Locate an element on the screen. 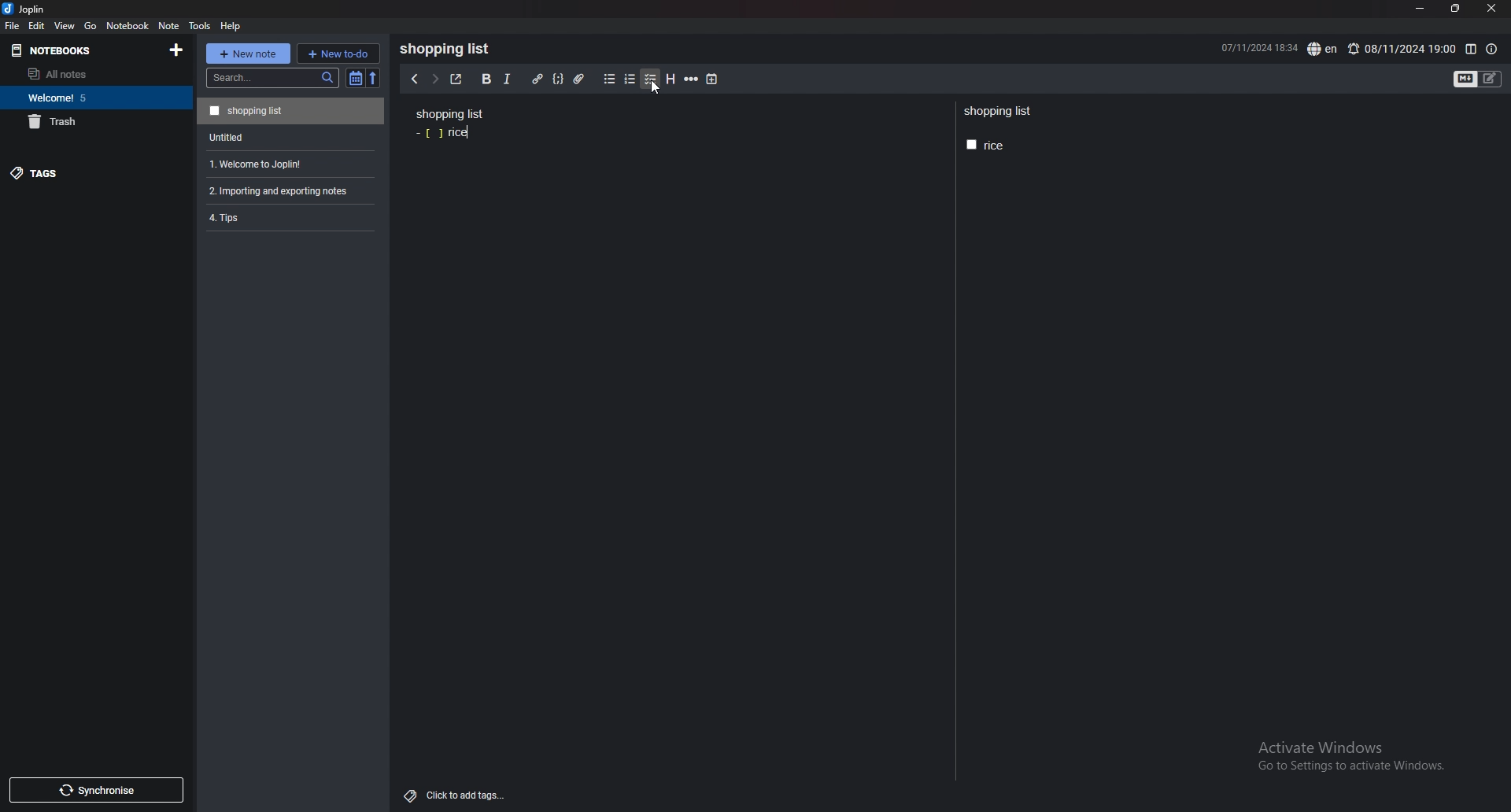 This screenshot has width=1511, height=812. search bar is located at coordinates (272, 78).